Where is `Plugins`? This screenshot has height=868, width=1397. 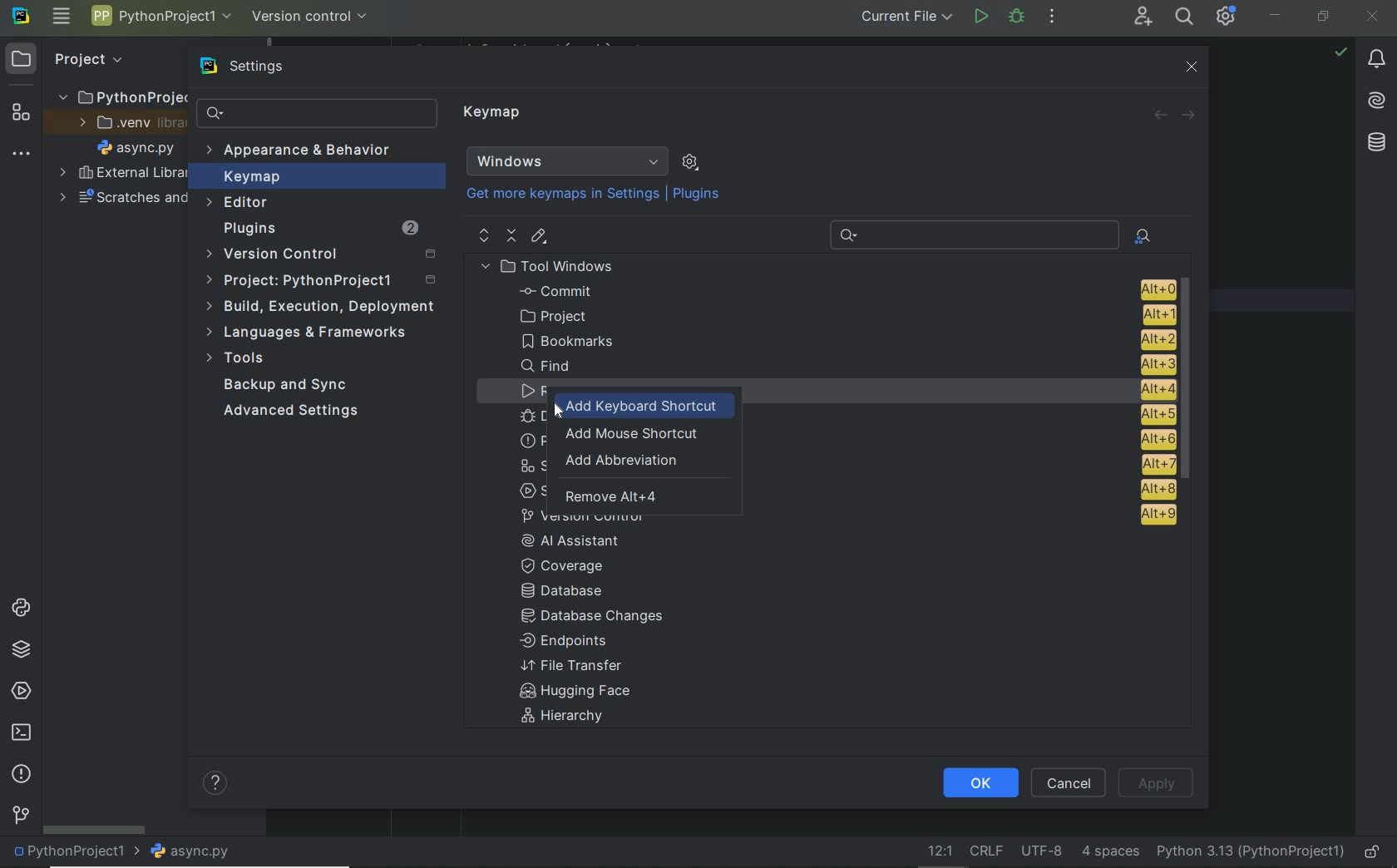
Plugins is located at coordinates (318, 229).